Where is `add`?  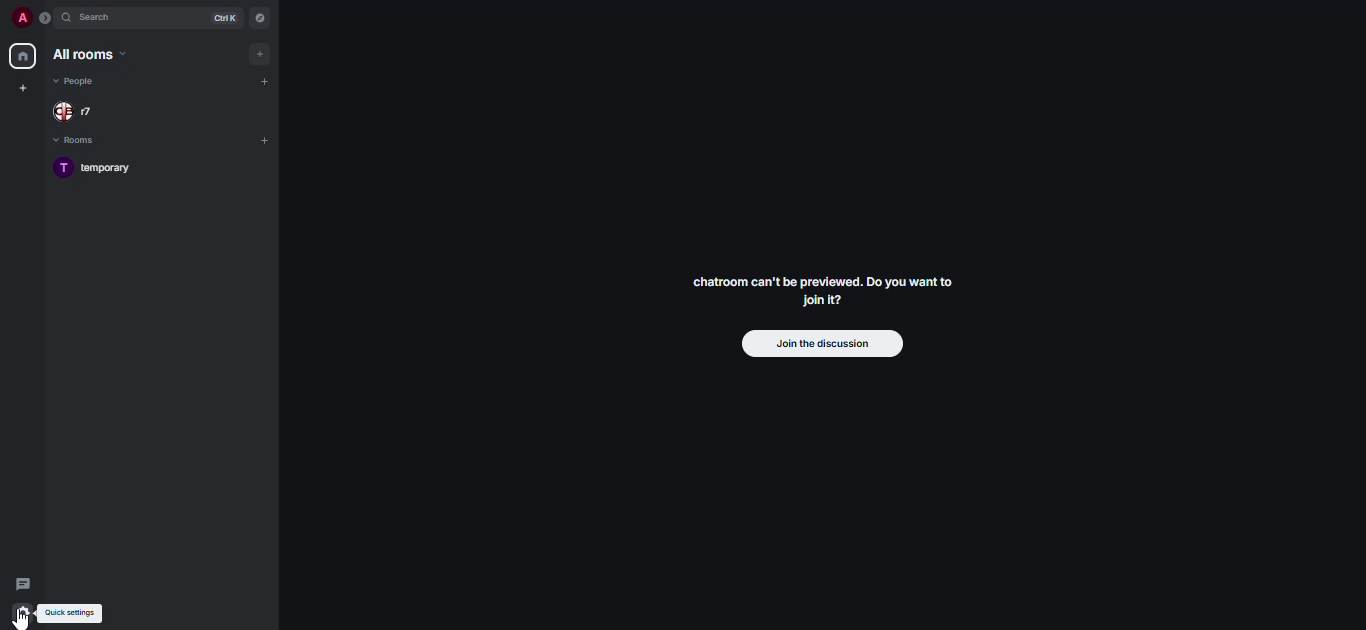 add is located at coordinates (258, 54).